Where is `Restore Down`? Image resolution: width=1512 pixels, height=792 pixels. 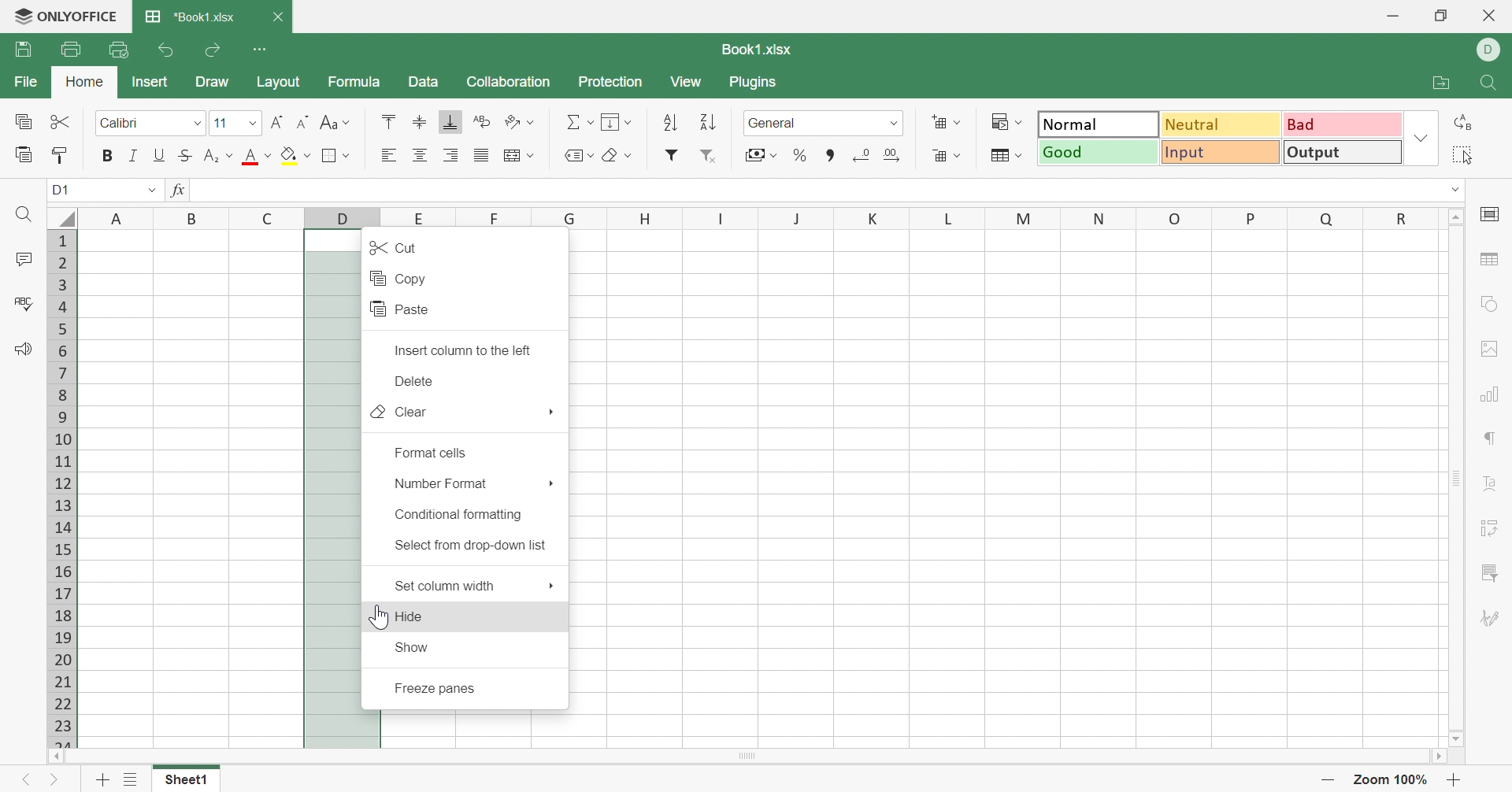 Restore Down is located at coordinates (1442, 16).